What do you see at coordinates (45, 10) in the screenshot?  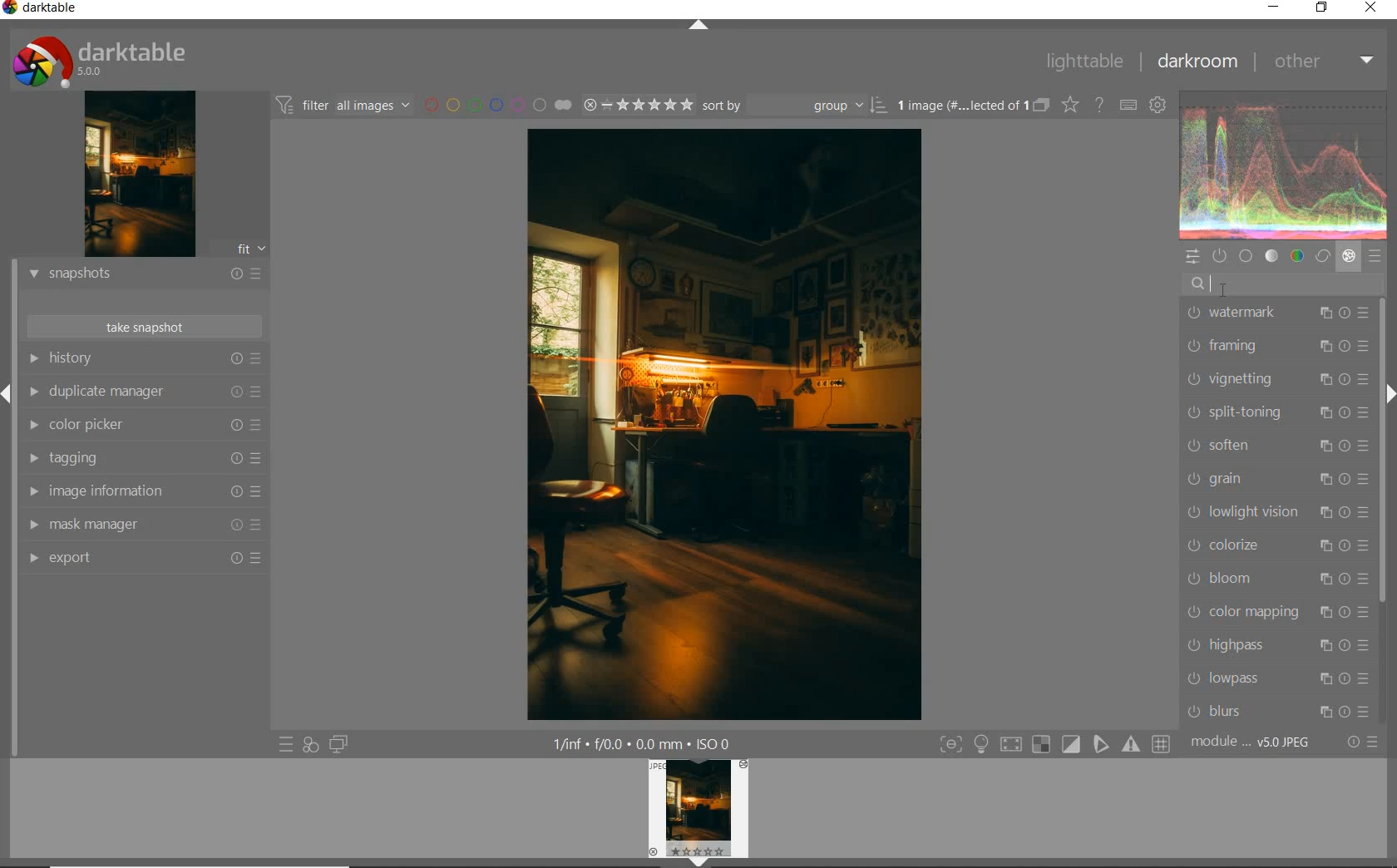 I see `system name` at bounding box center [45, 10].